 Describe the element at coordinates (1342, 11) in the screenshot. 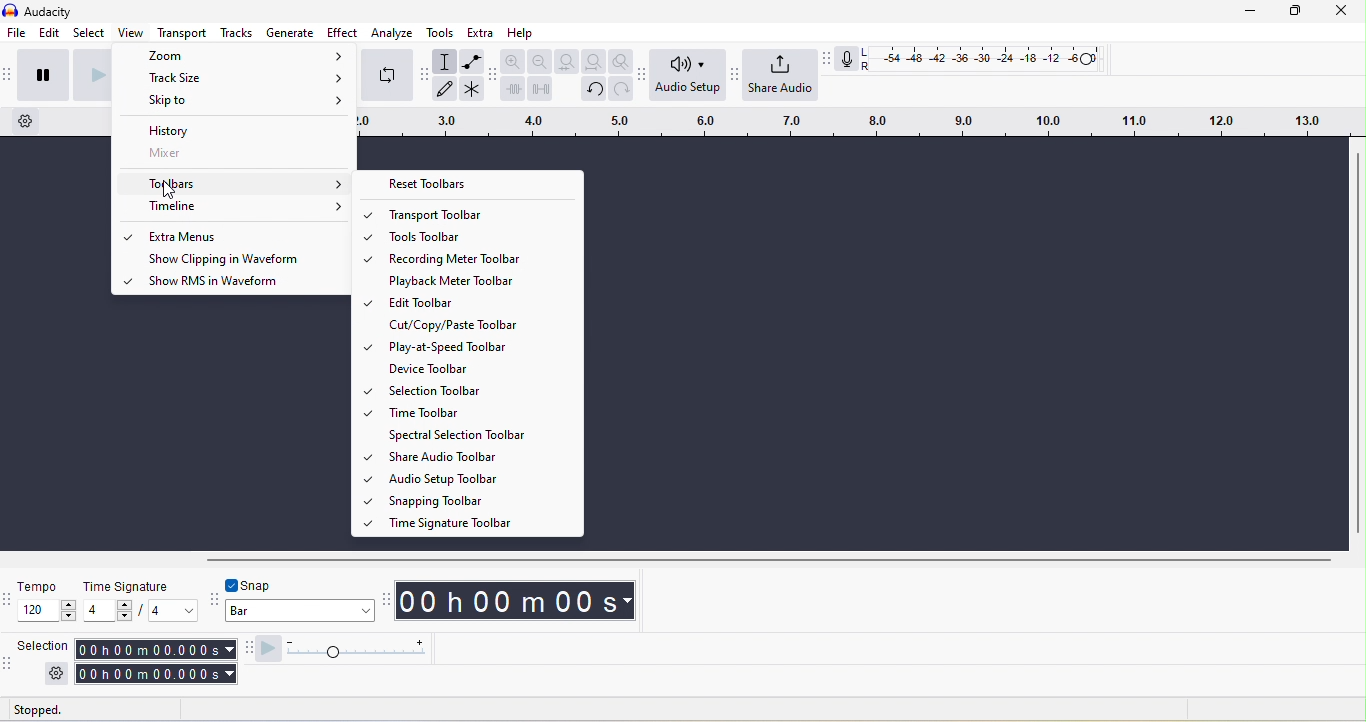

I see `close` at that location.